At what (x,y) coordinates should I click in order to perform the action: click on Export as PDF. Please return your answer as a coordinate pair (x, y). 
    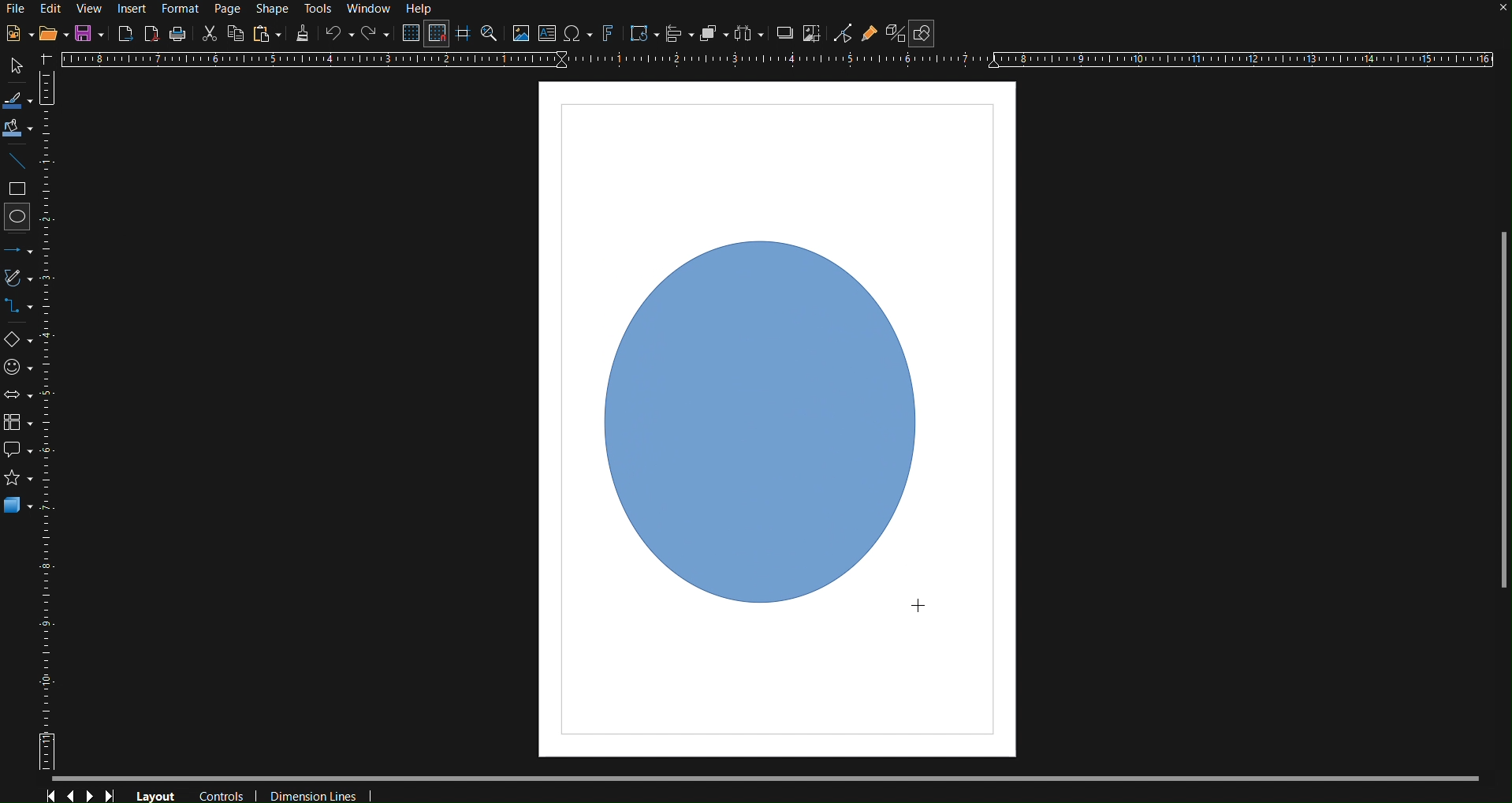
    Looking at the image, I should click on (151, 33).